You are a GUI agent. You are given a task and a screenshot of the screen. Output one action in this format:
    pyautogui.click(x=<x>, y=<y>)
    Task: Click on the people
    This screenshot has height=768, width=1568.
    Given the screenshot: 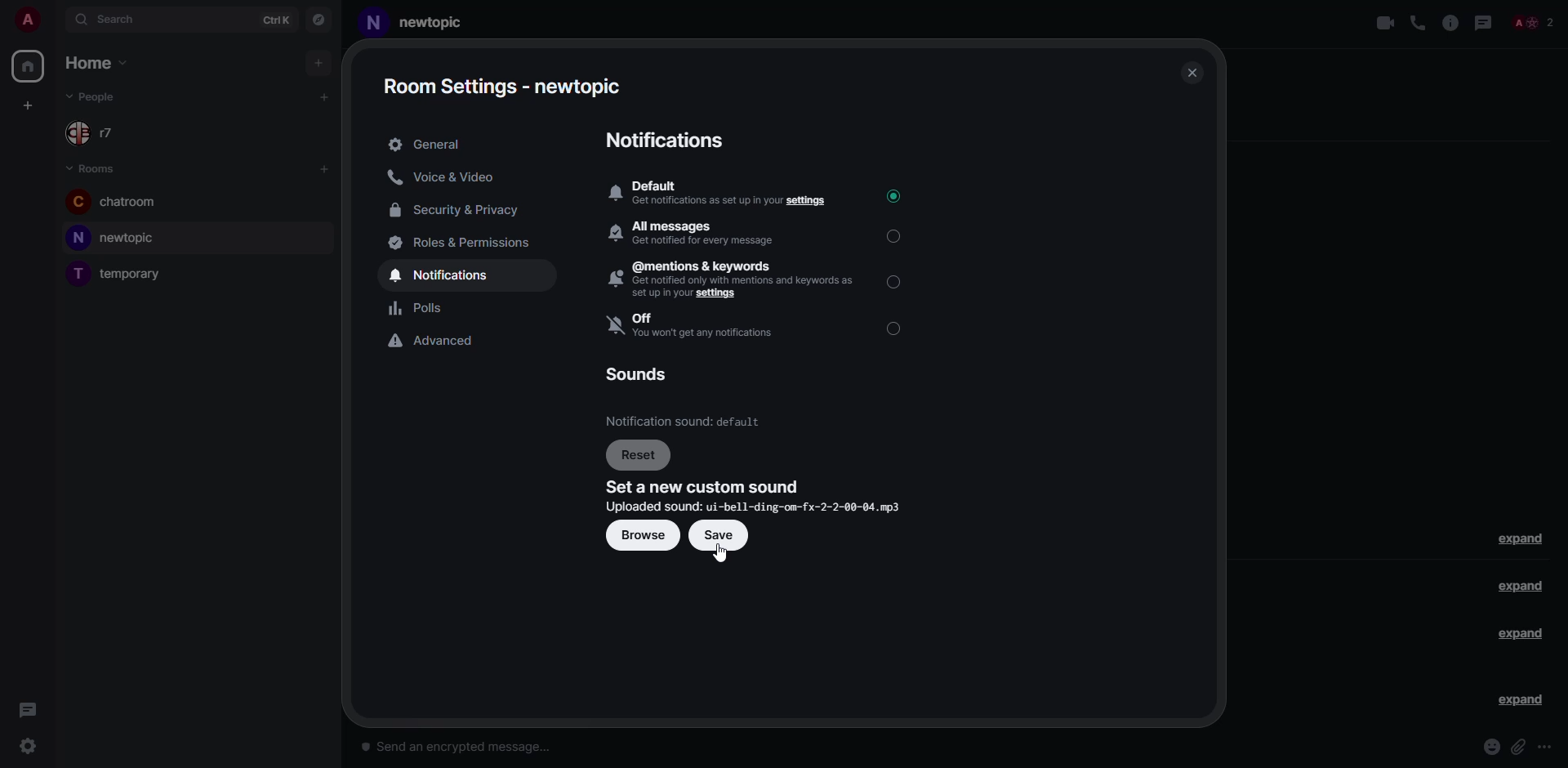 What is the action you would take?
    pyautogui.click(x=1532, y=23)
    